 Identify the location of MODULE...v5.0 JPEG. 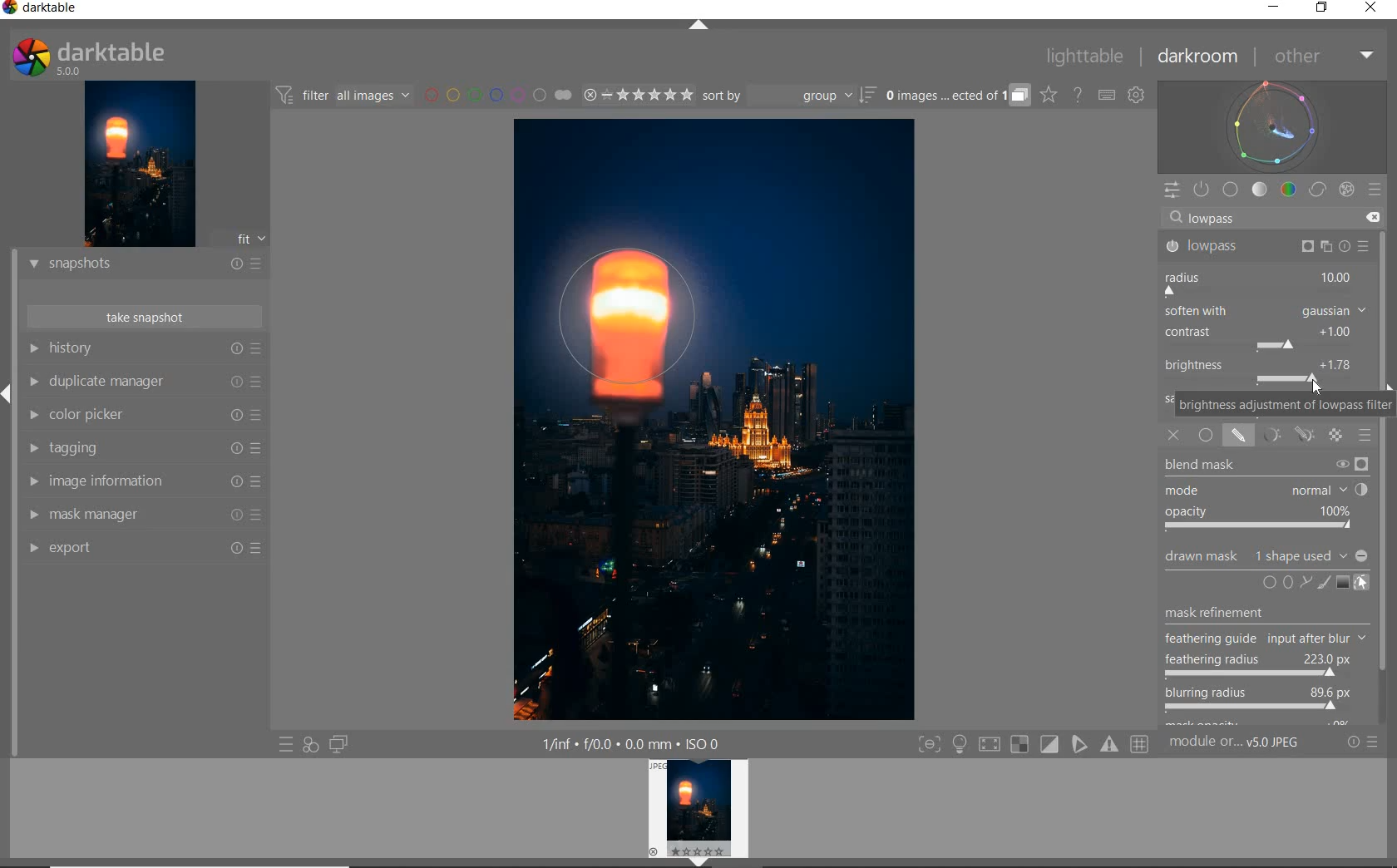
(1251, 744).